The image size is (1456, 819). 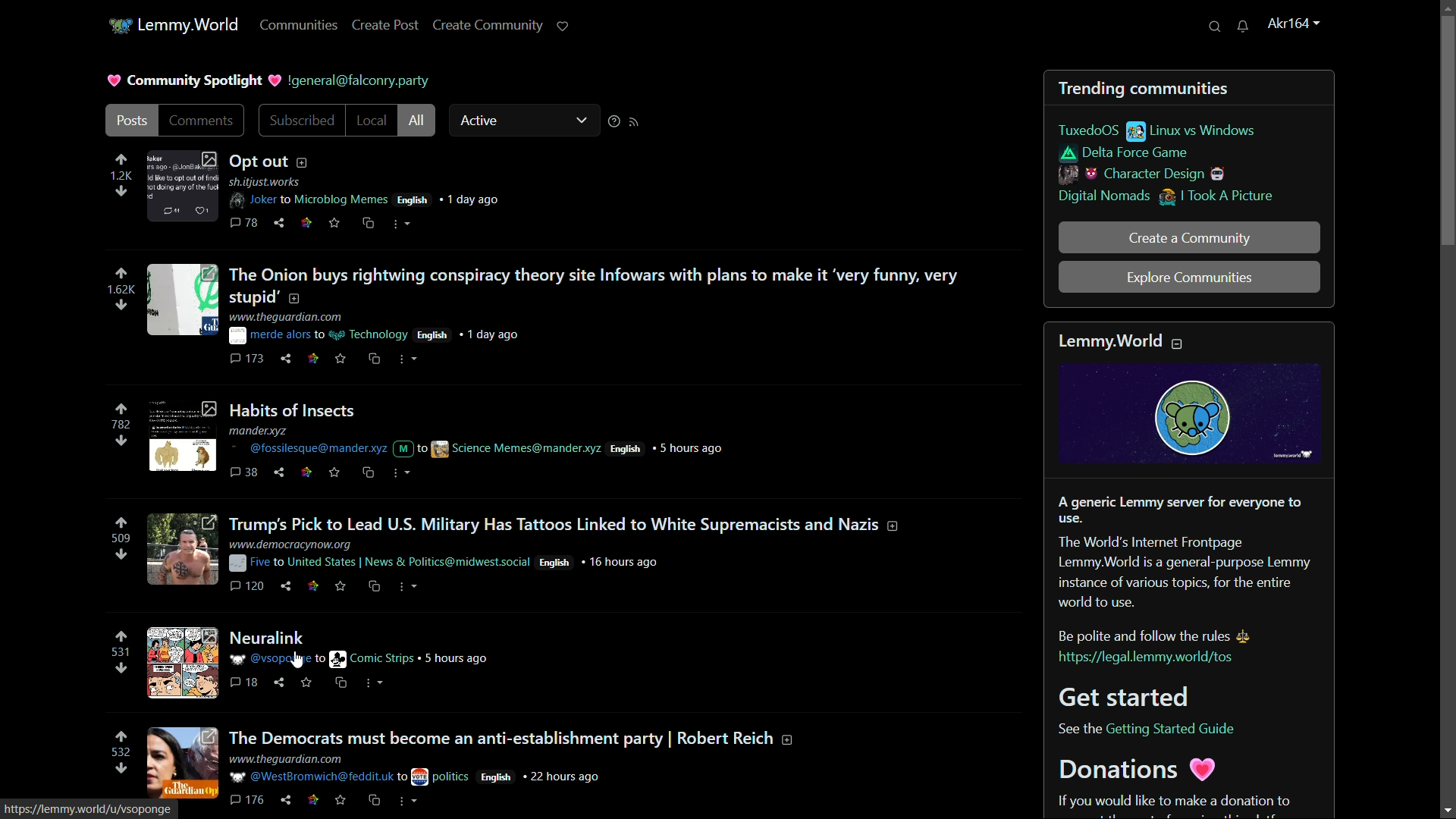 I want to click on share, so click(x=286, y=588).